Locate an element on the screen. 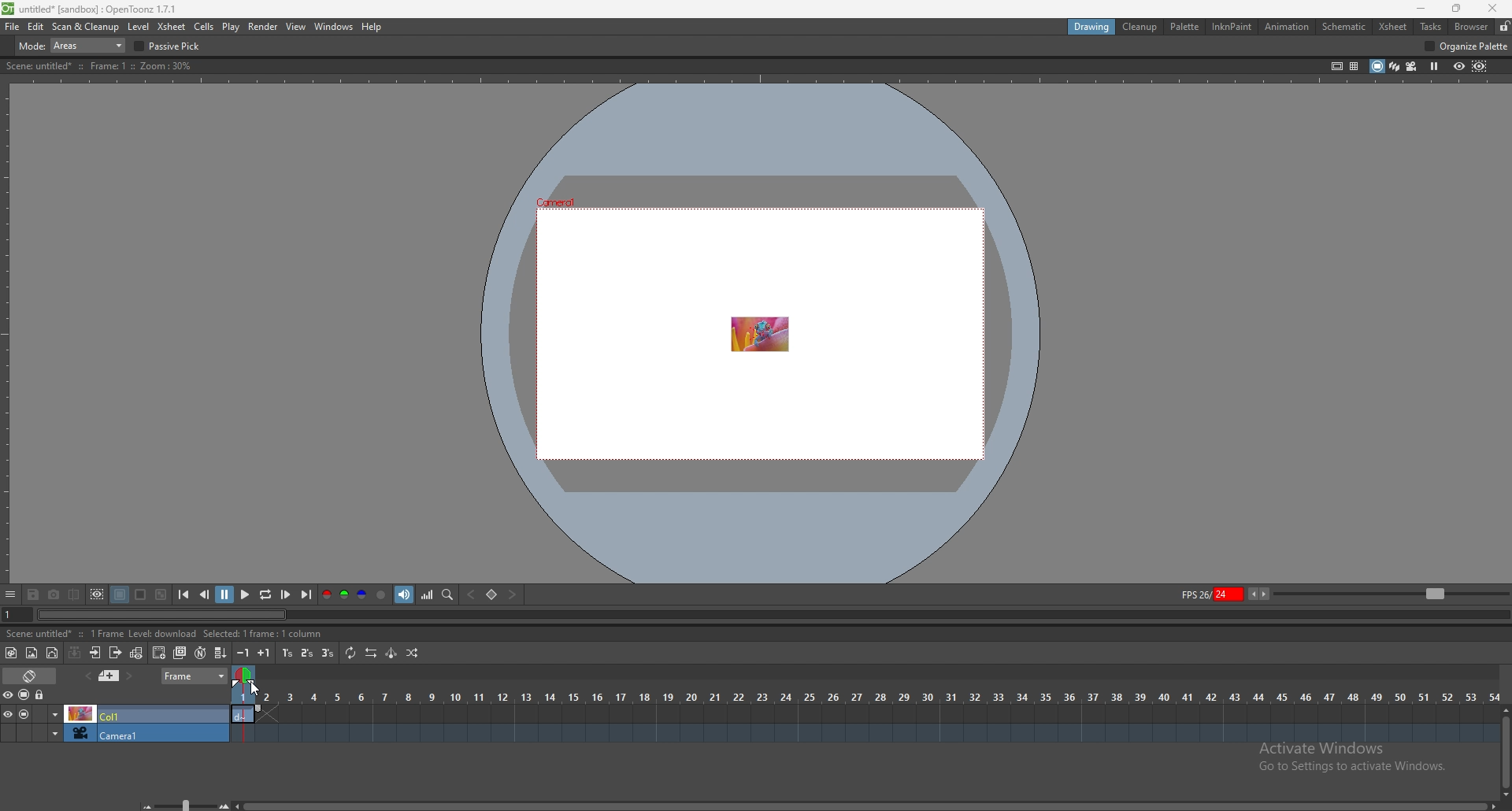 This screenshot has height=811, width=1512. timeline is located at coordinates (865, 712).